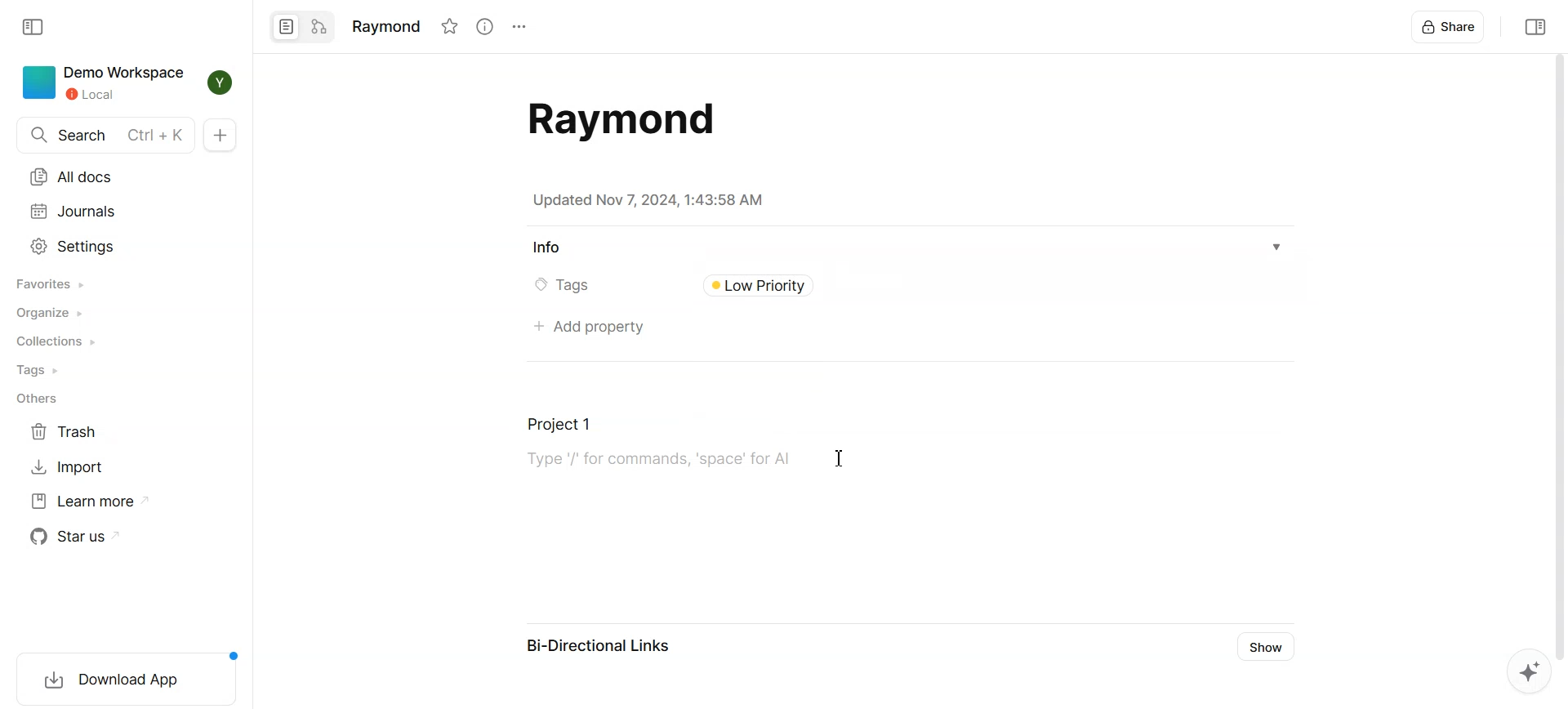  Describe the element at coordinates (42, 370) in the screenshot. I see `Tags` at that location.